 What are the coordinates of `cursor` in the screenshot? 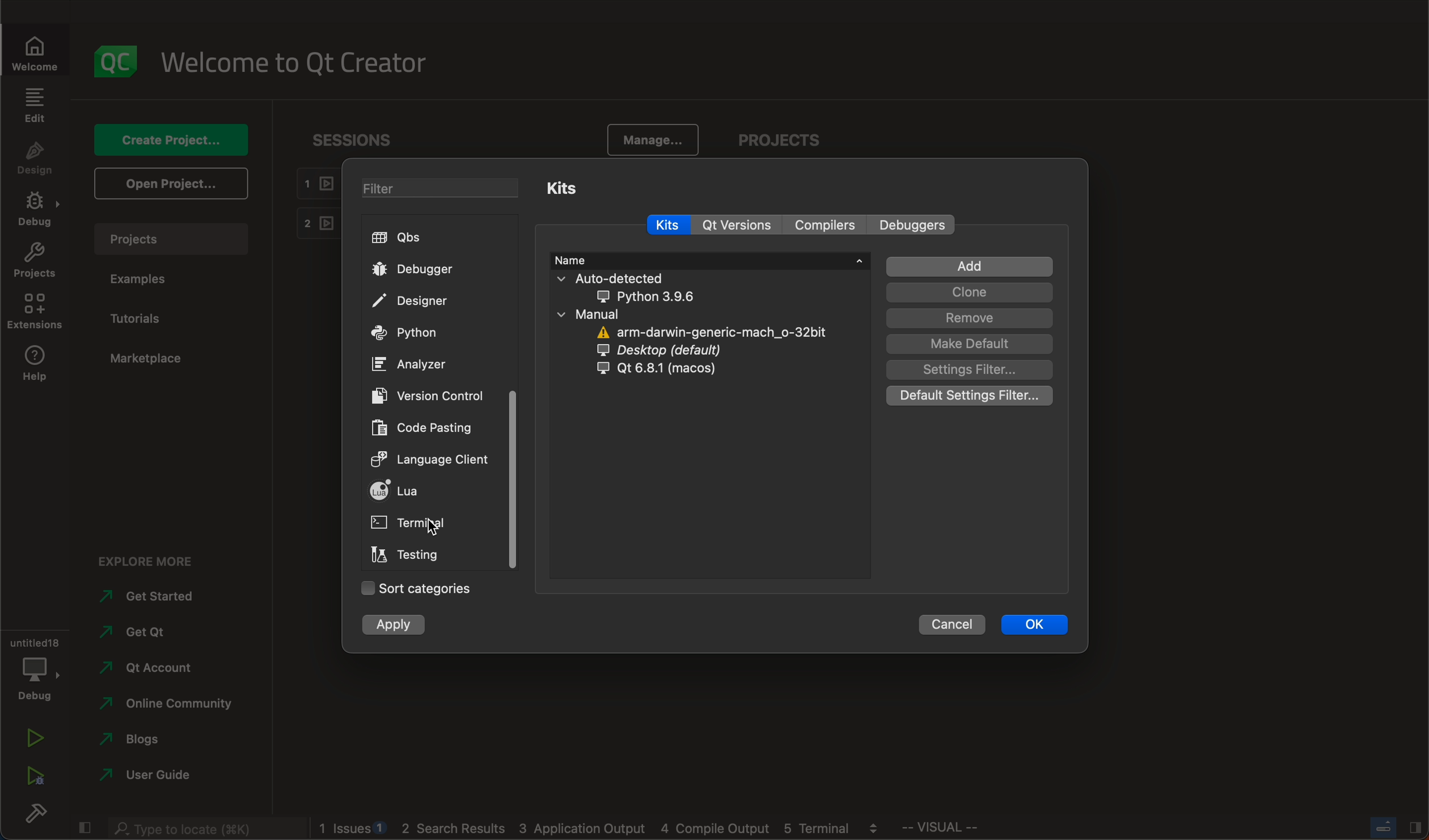 It's located at (429, 526).